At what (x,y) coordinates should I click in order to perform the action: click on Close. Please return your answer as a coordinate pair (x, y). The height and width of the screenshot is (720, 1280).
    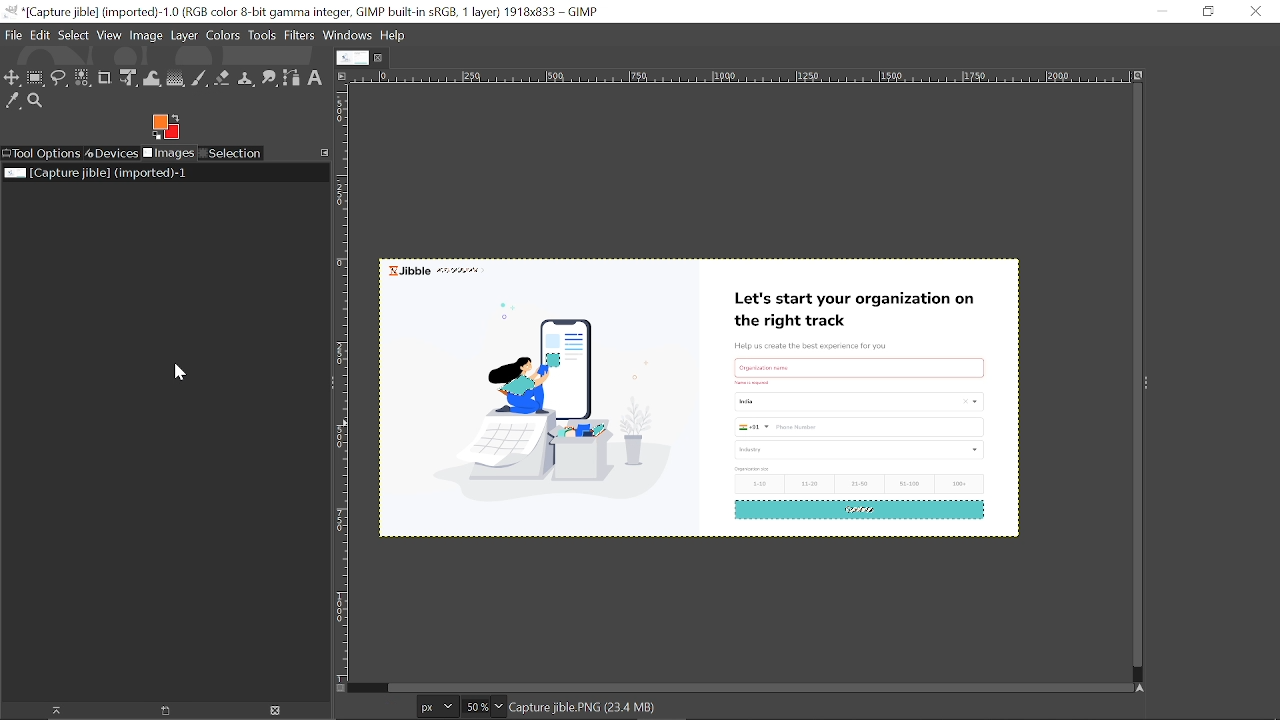
    Looking at the image, I should click on (1255, 12).